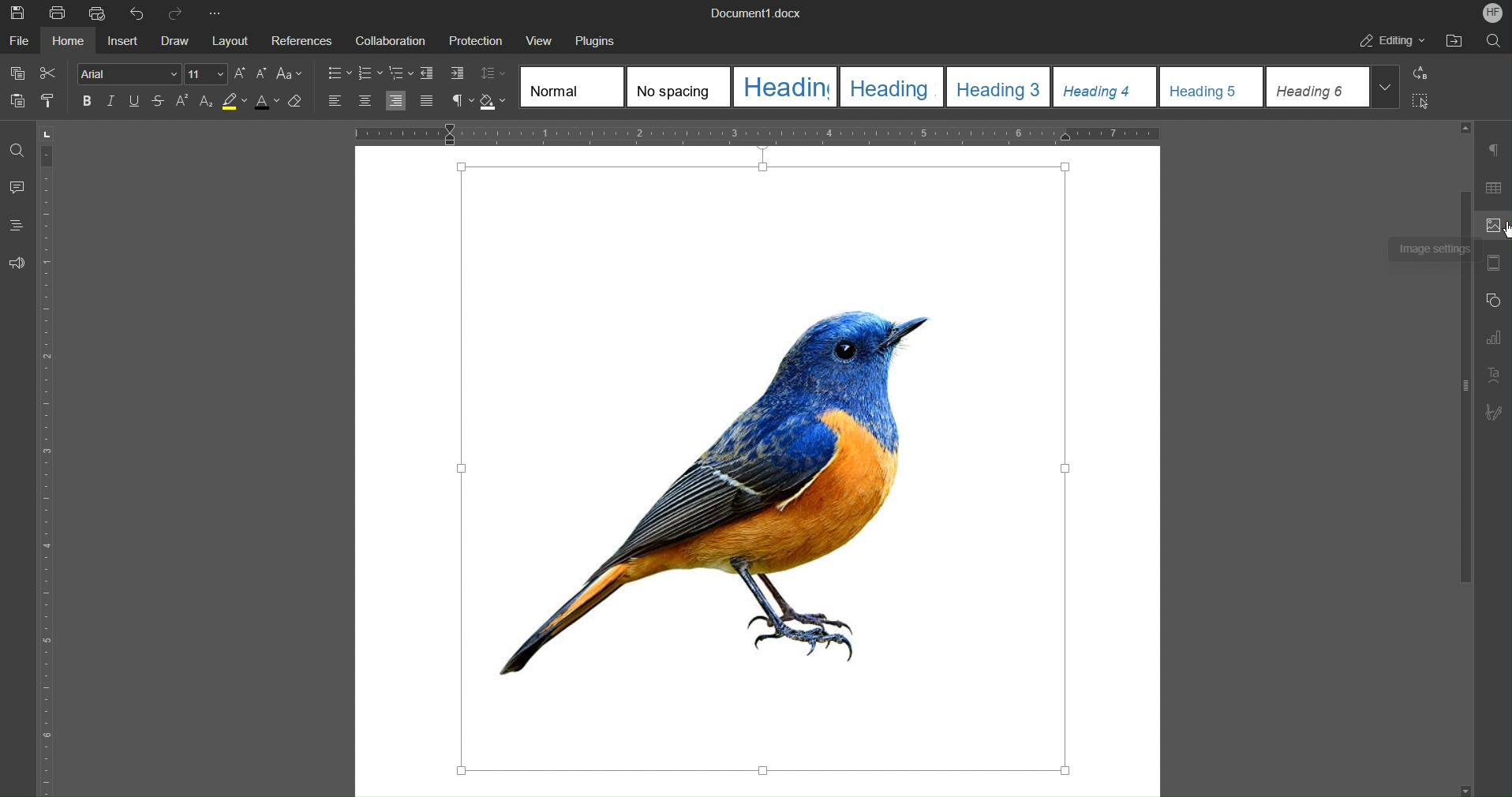 This screenshot has width=1512, height=797. What do you see at coordinates (1417, 73) in the screenshot?
I see `Replace` at bounding box center [1417, 73].